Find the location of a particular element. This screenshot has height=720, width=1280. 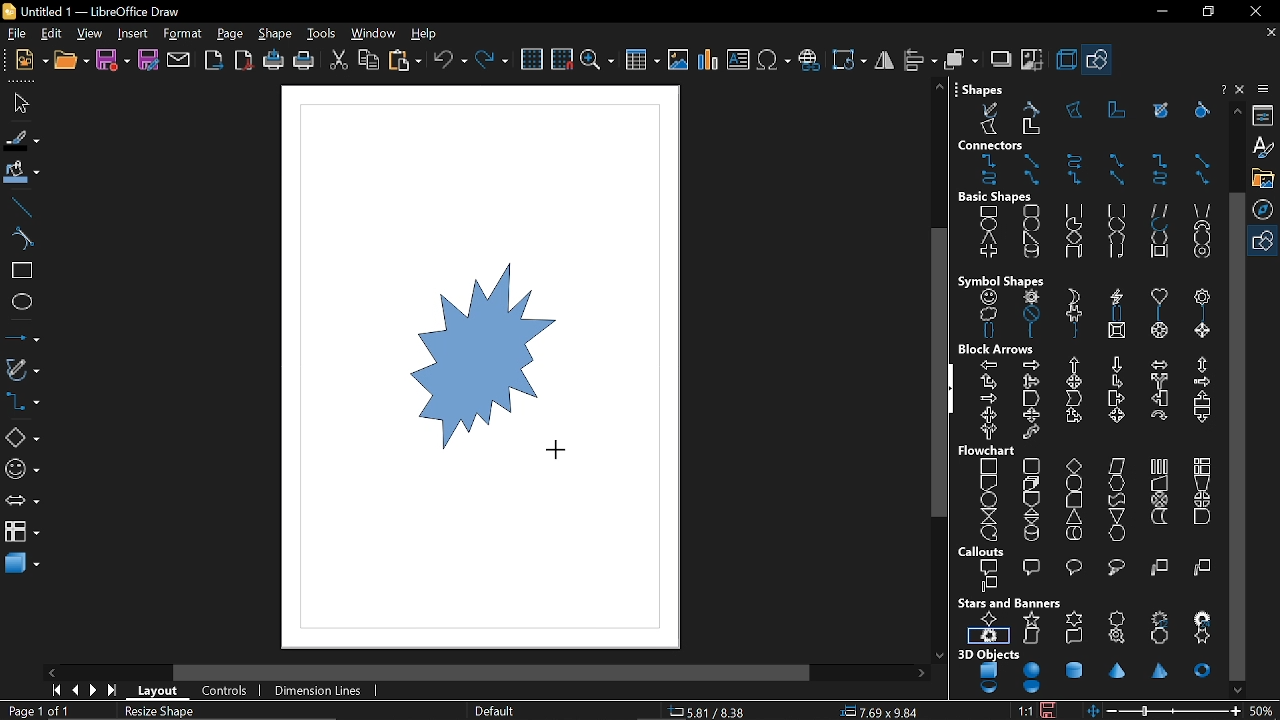

Basic shapes is located at coordinates (1265, 242).